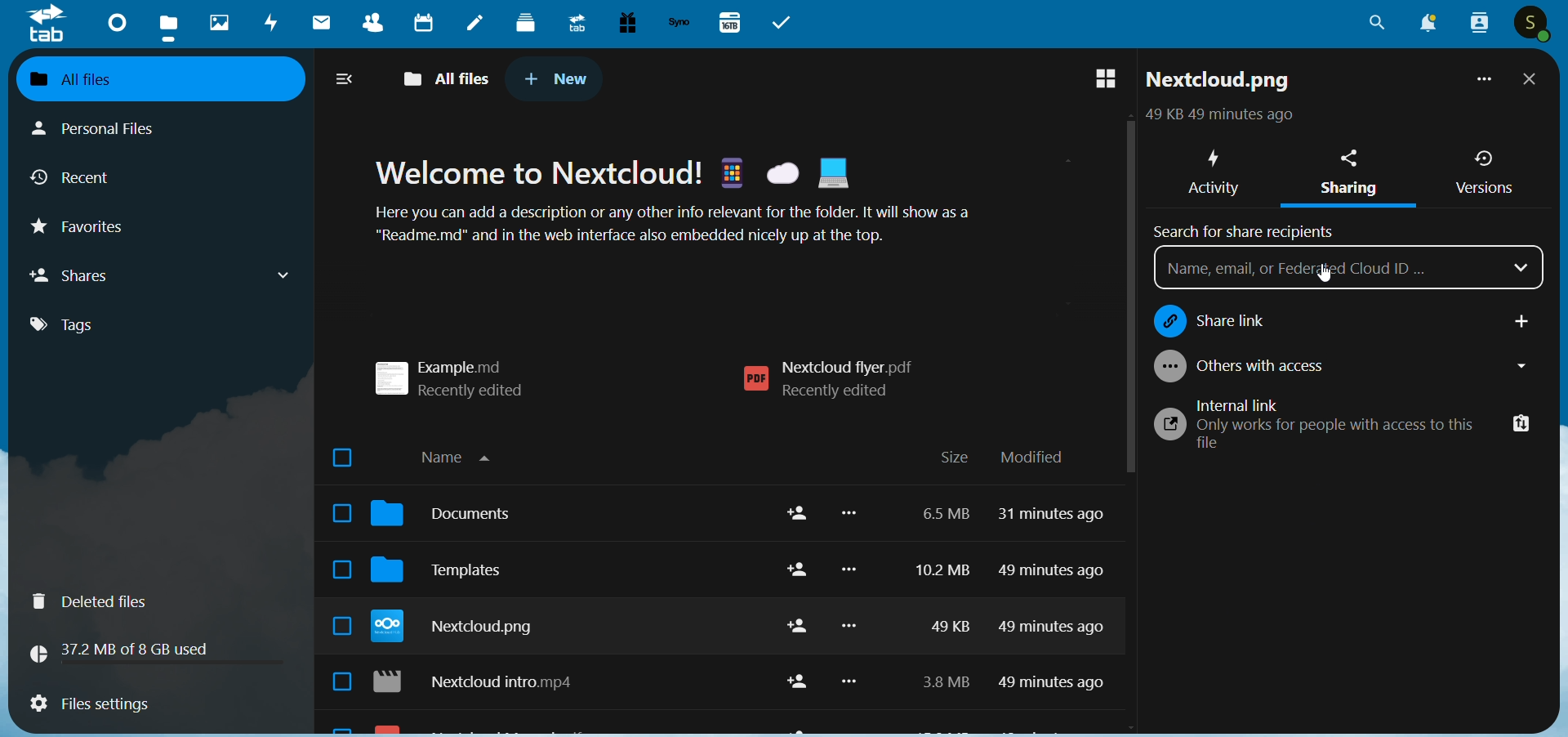 This screenshot has height=737, width=1568. Describe the element at coordinates (346, 81) in the screenshot. I see `collapse/expand` at that location.